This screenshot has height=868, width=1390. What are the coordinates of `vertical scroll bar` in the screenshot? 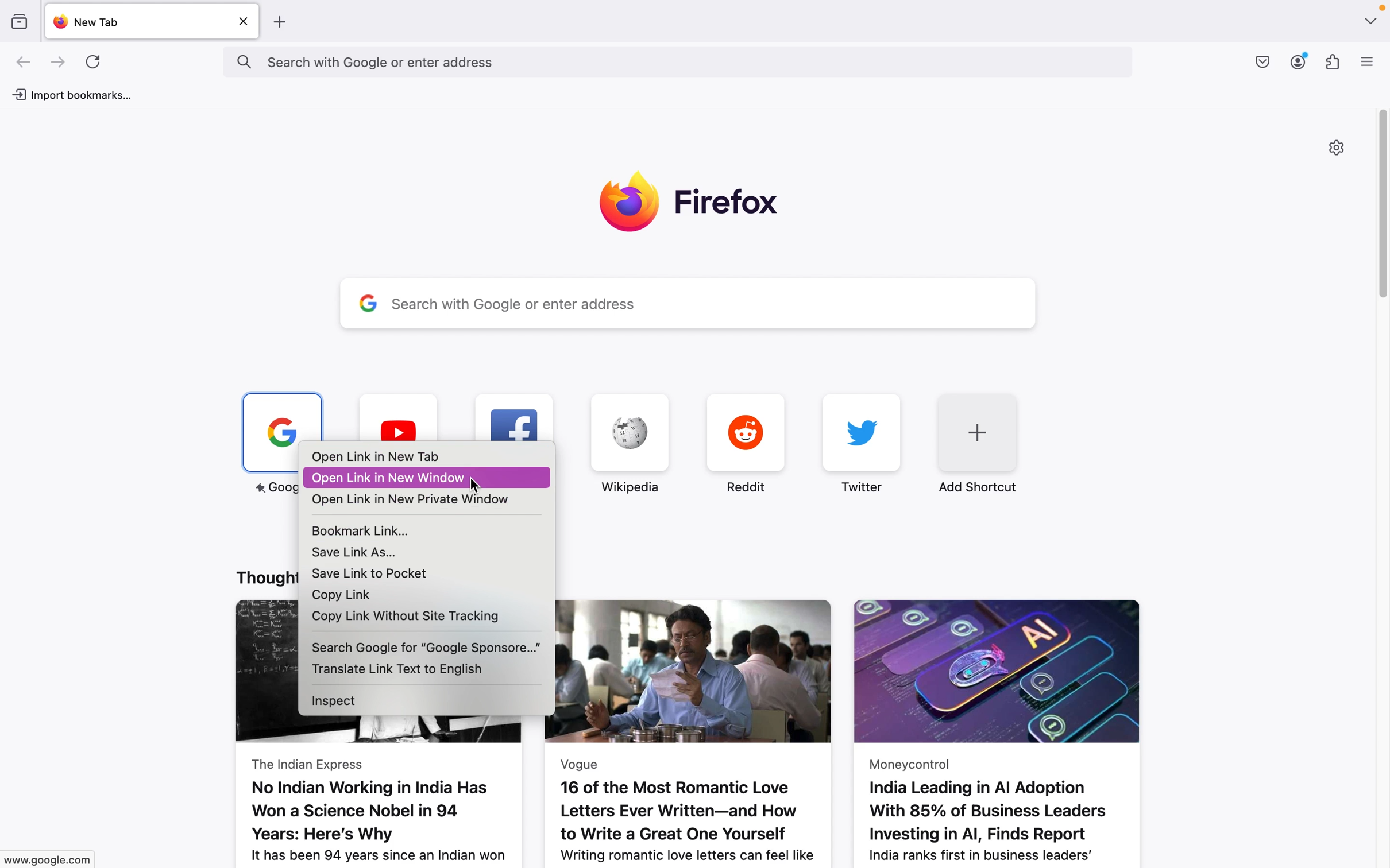 It's located at (1381, 205).